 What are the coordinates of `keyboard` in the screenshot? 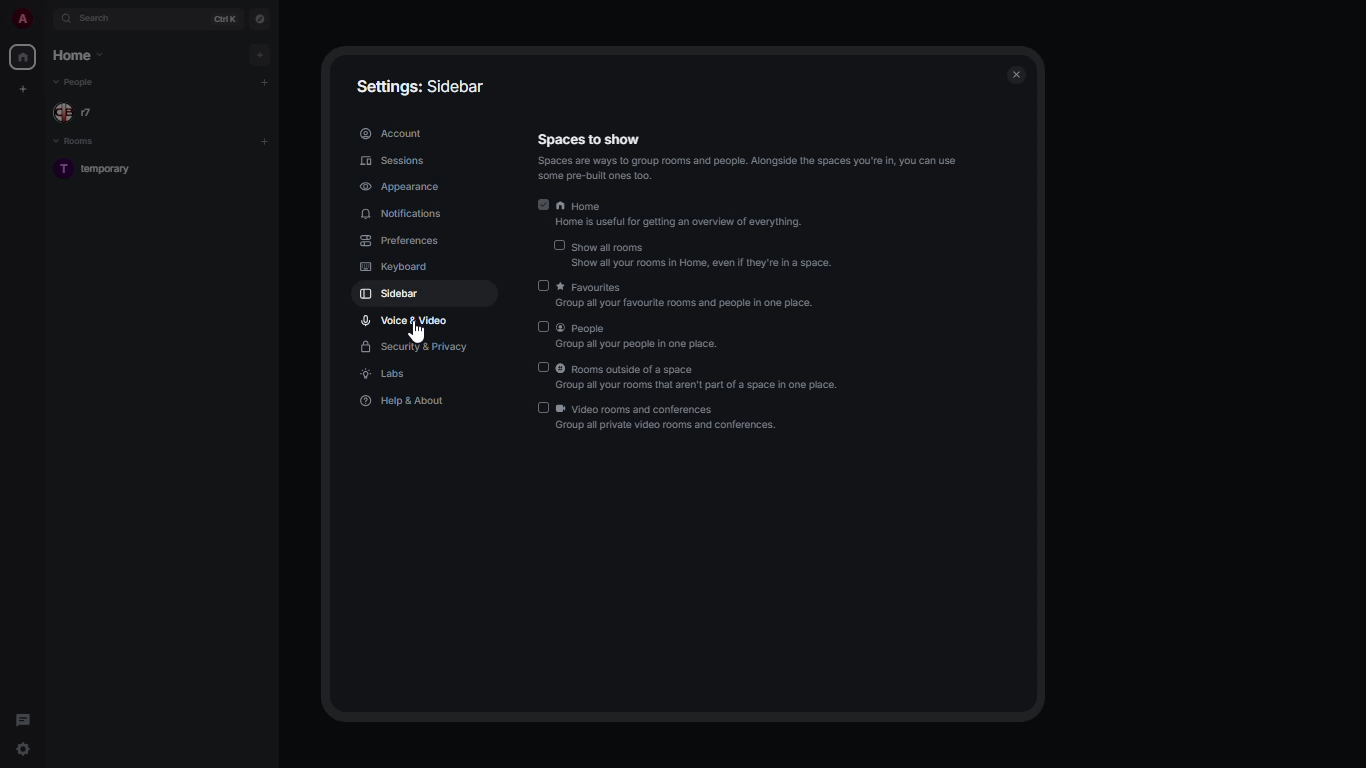 It's located at (392, 268).